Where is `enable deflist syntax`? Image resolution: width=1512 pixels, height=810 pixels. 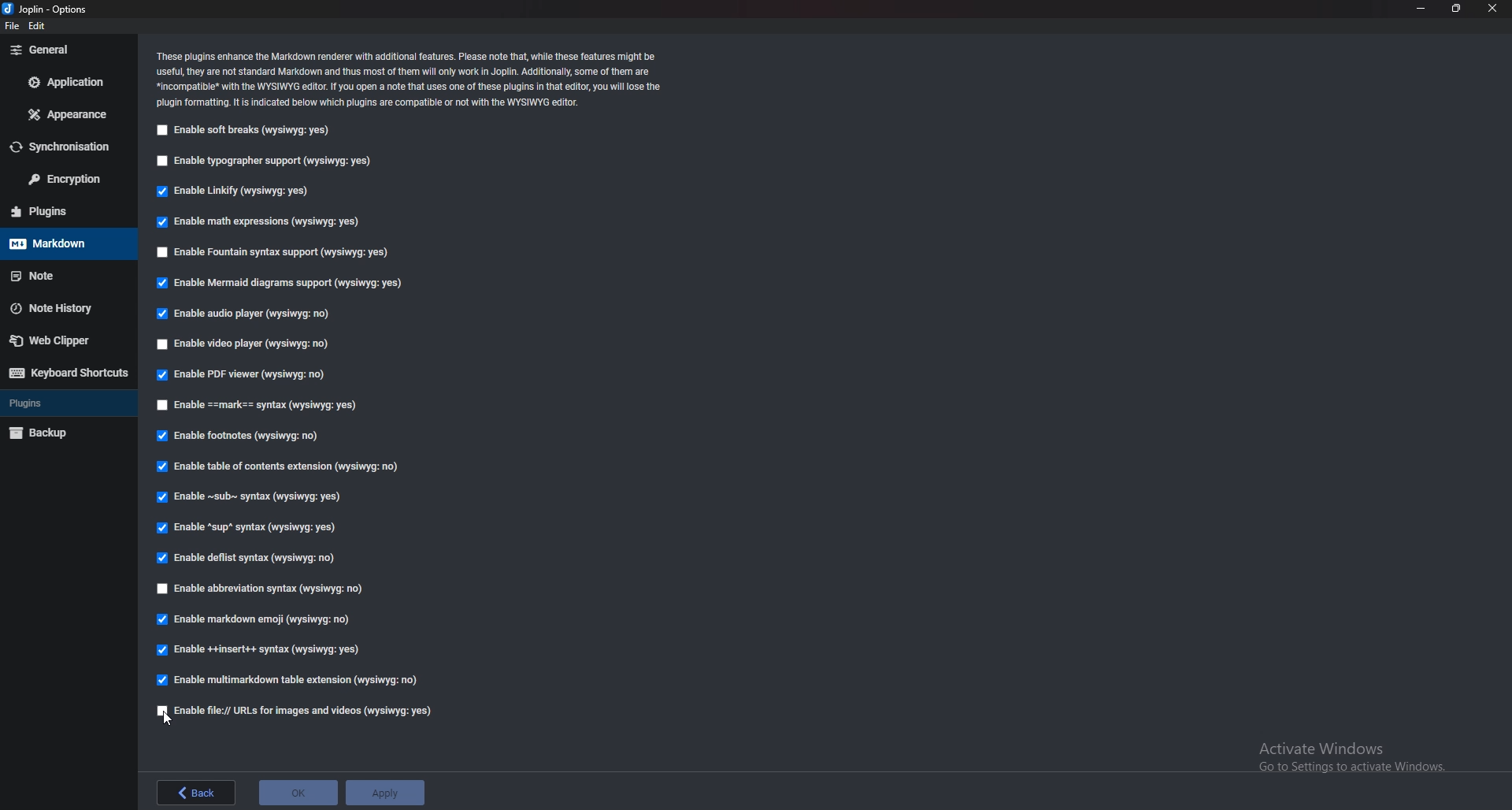
enable deflist syntax is located at coordinates (248, 559).